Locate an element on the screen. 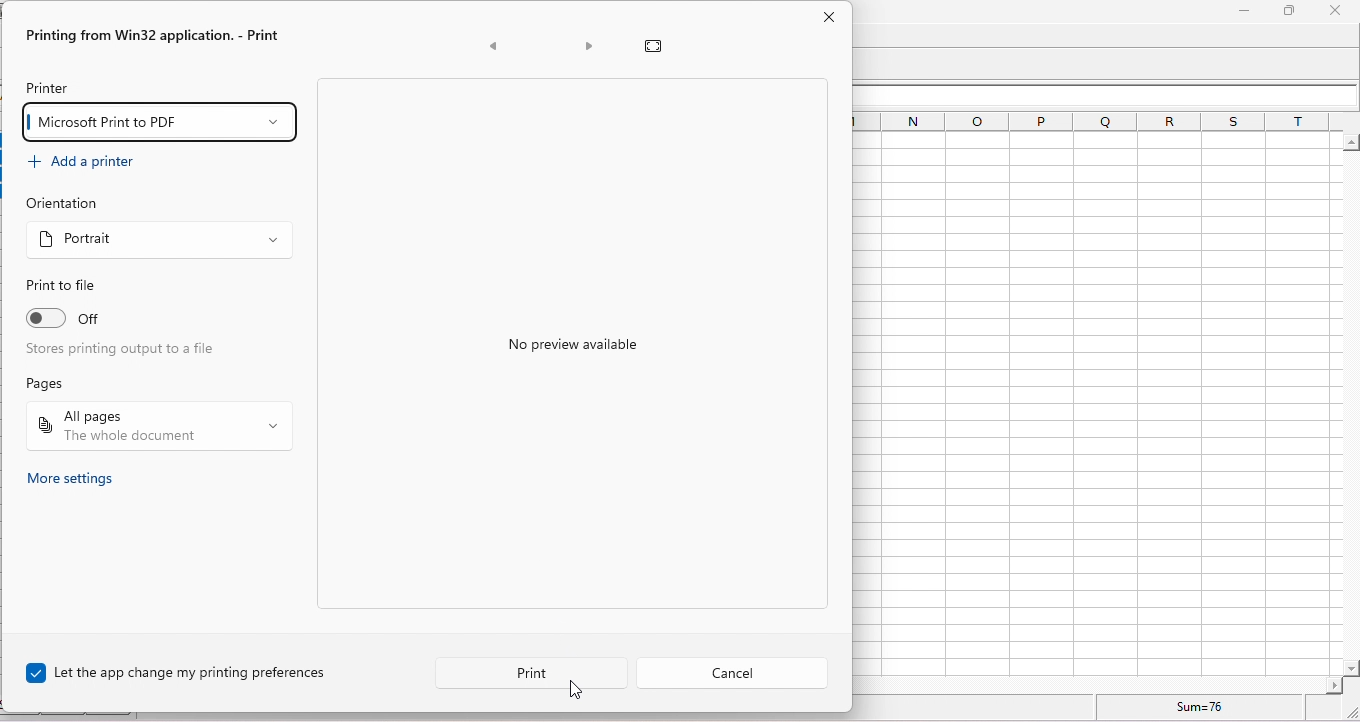 This screenshot has height=722, width=1360. more settings is located at coordinates (81, 479).